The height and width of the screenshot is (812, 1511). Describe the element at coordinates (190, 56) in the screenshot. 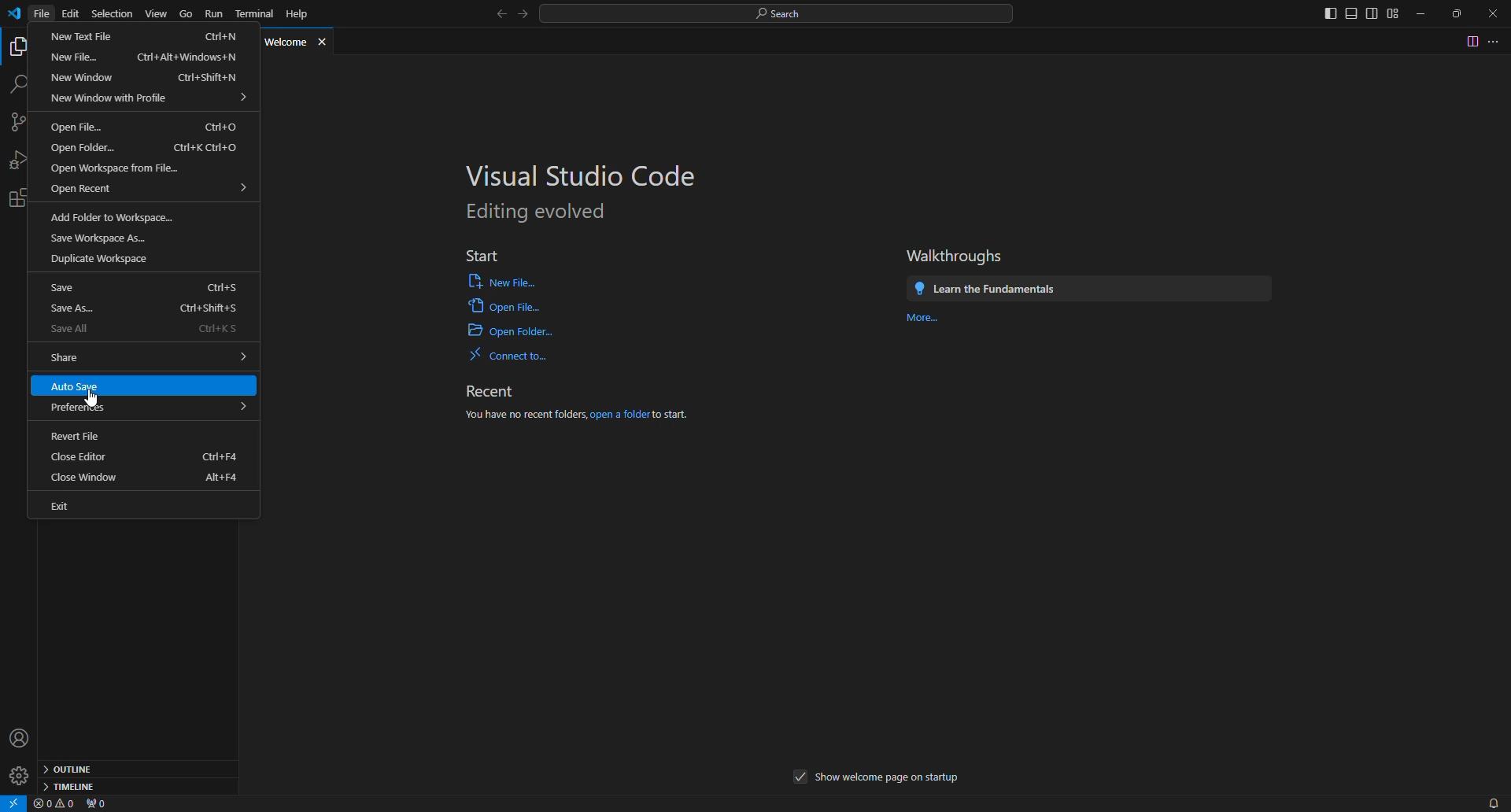

I see `ctrl+alt+windows+n` at that location.